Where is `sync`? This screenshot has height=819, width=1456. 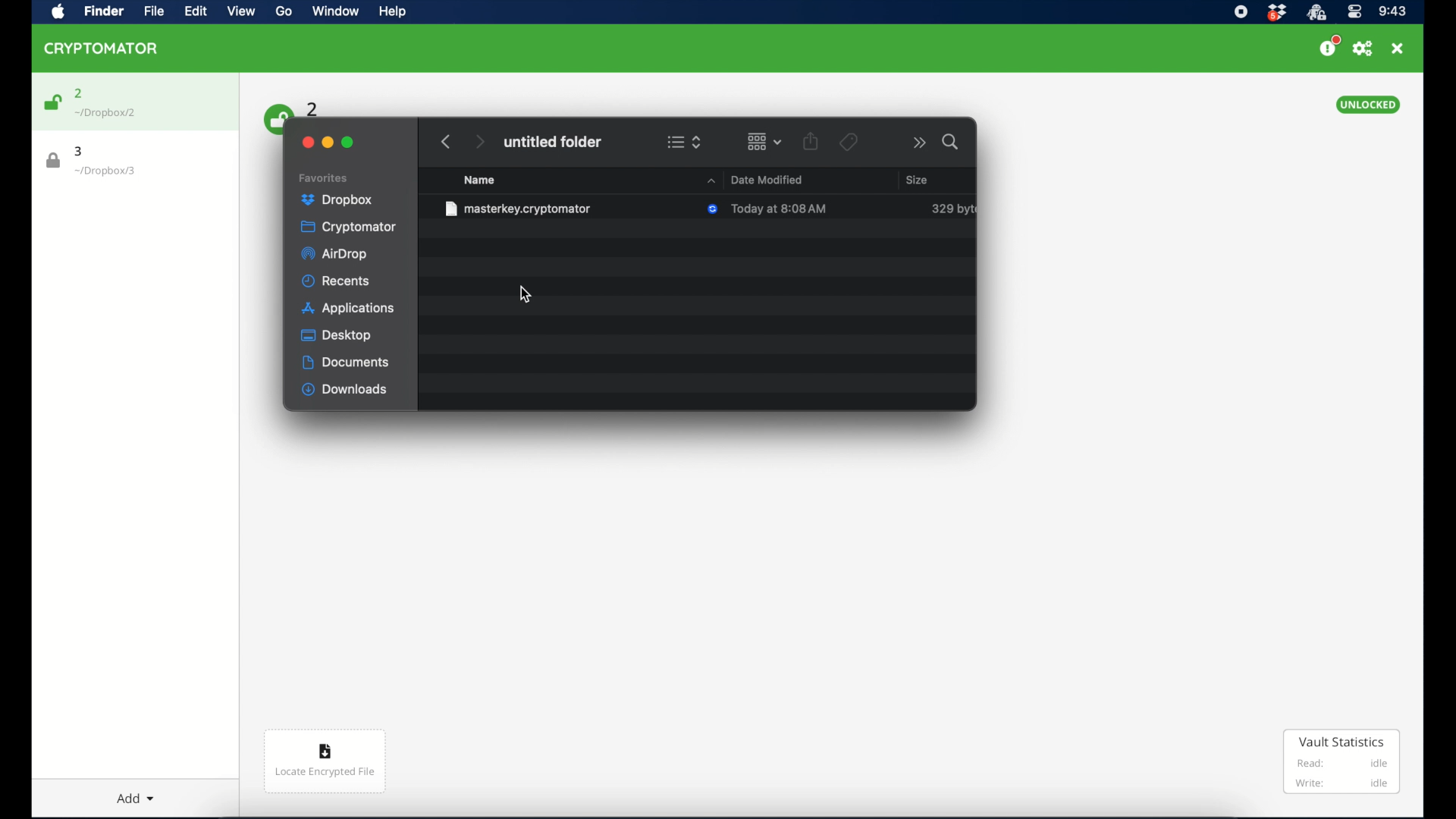
sync is located at coordinates (714, 210).